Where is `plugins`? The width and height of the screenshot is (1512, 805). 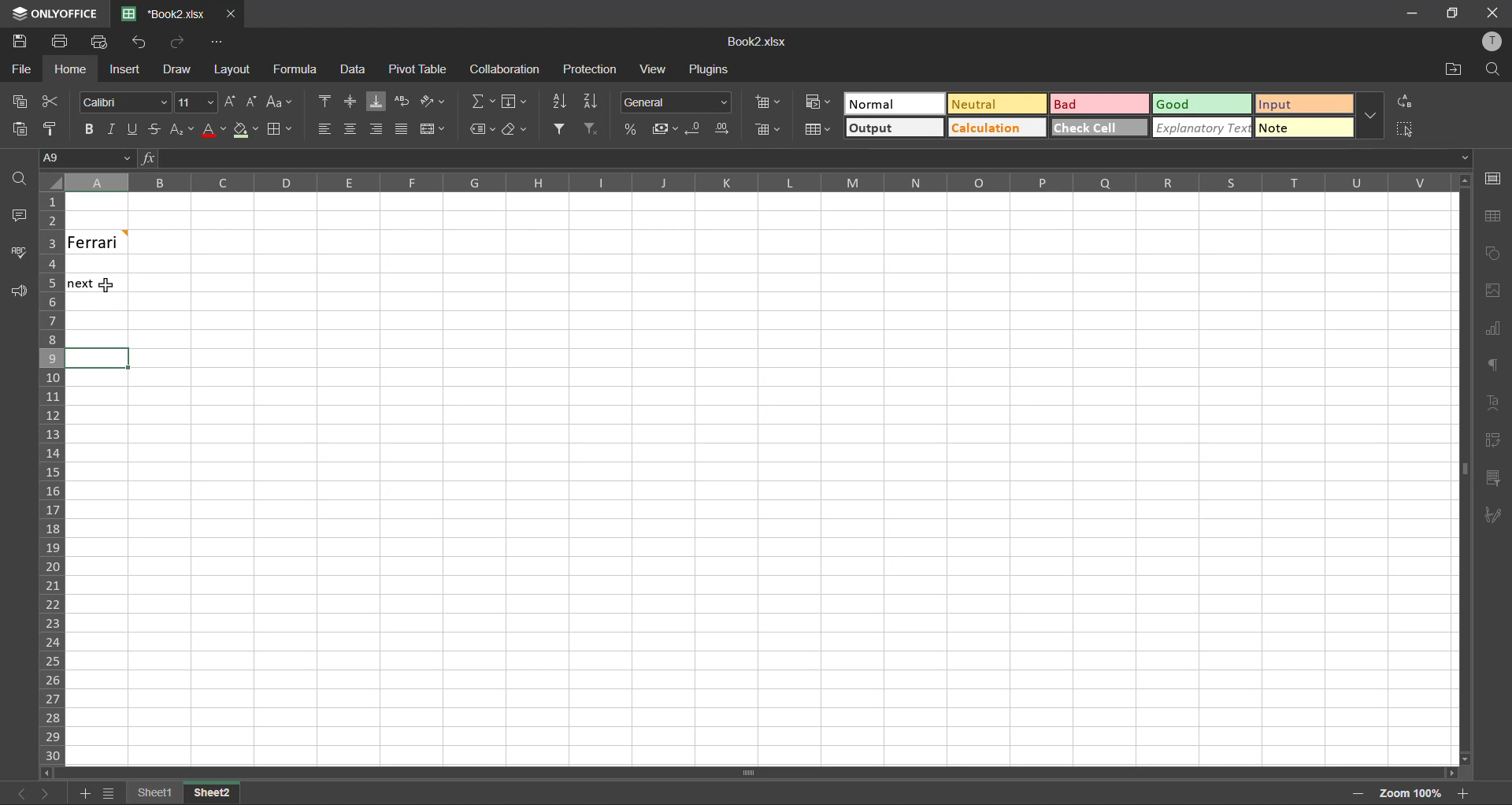
plugins is located at coordinates (710, 72).